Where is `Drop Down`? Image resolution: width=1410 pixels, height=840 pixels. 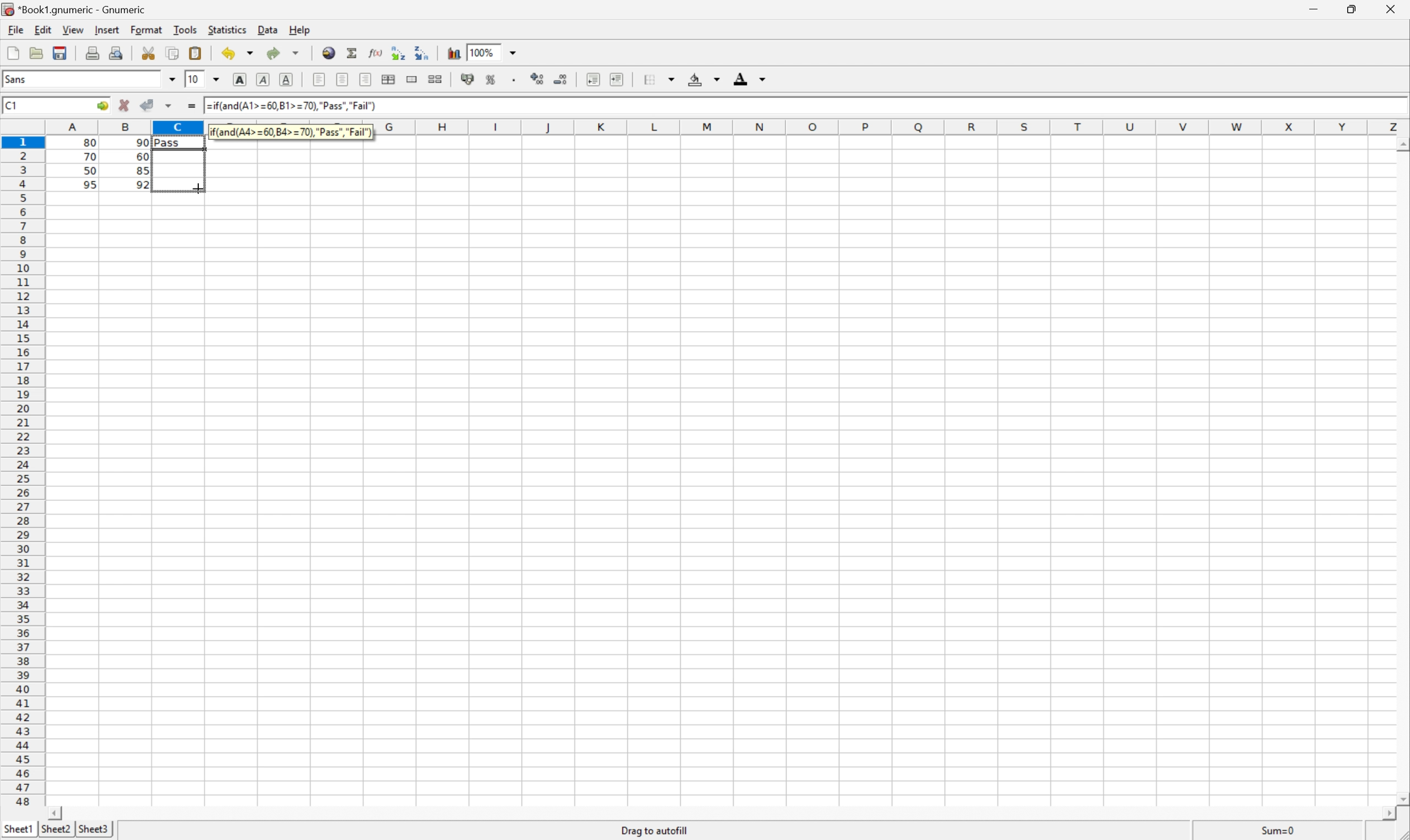 Drop Down is located at coordinates (296, 50).